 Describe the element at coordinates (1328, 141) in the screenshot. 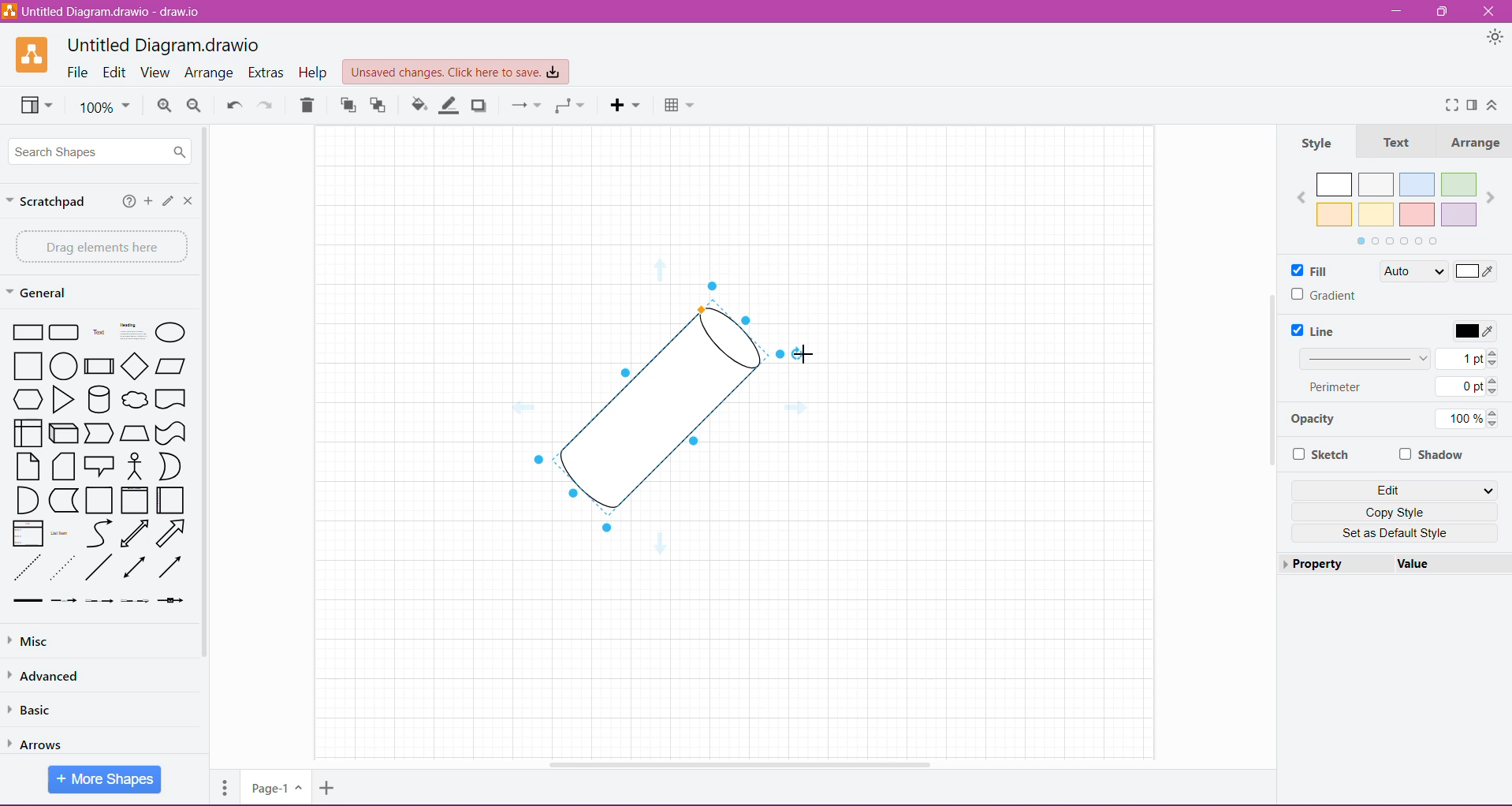

I see `Style` at that location.